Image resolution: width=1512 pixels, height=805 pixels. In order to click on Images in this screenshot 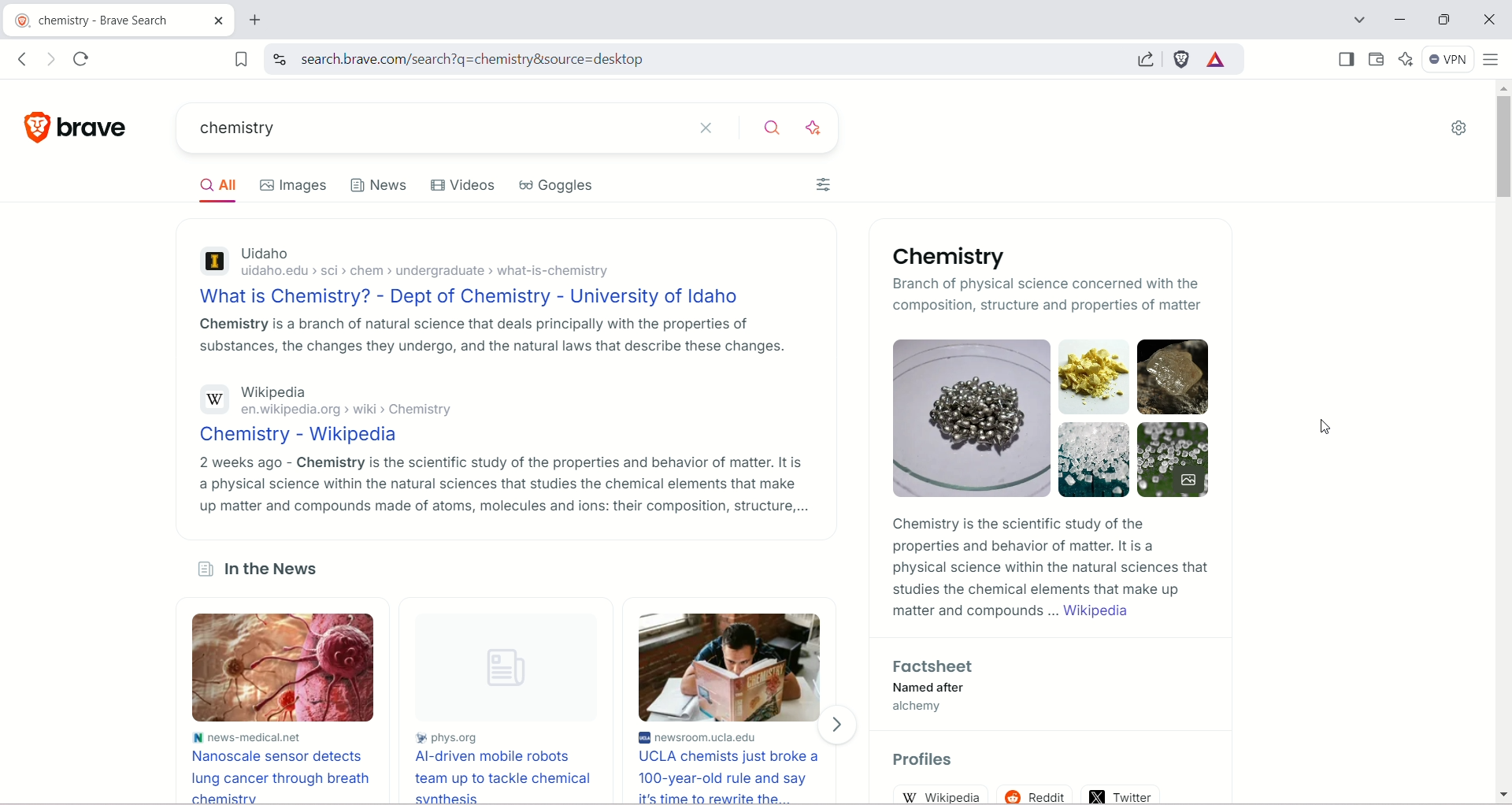, I will do `click(1055, 417)`.